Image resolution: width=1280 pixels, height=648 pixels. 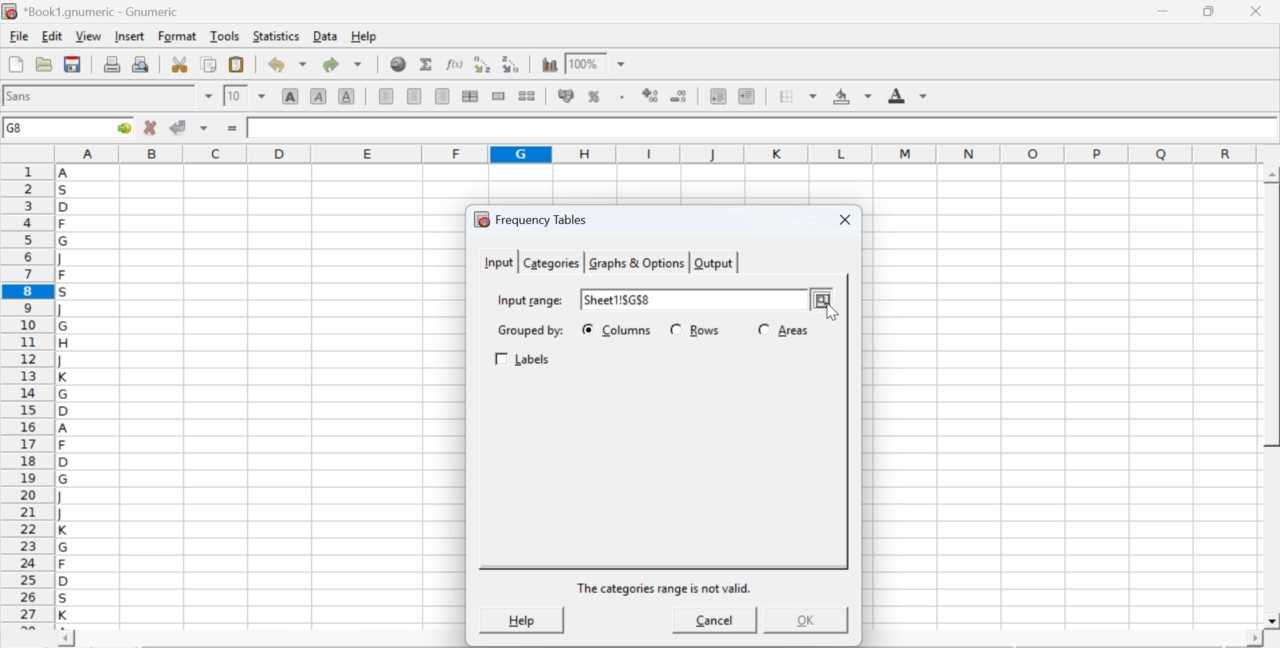 I want to click on center horizontally, so click(x=470, y=96).